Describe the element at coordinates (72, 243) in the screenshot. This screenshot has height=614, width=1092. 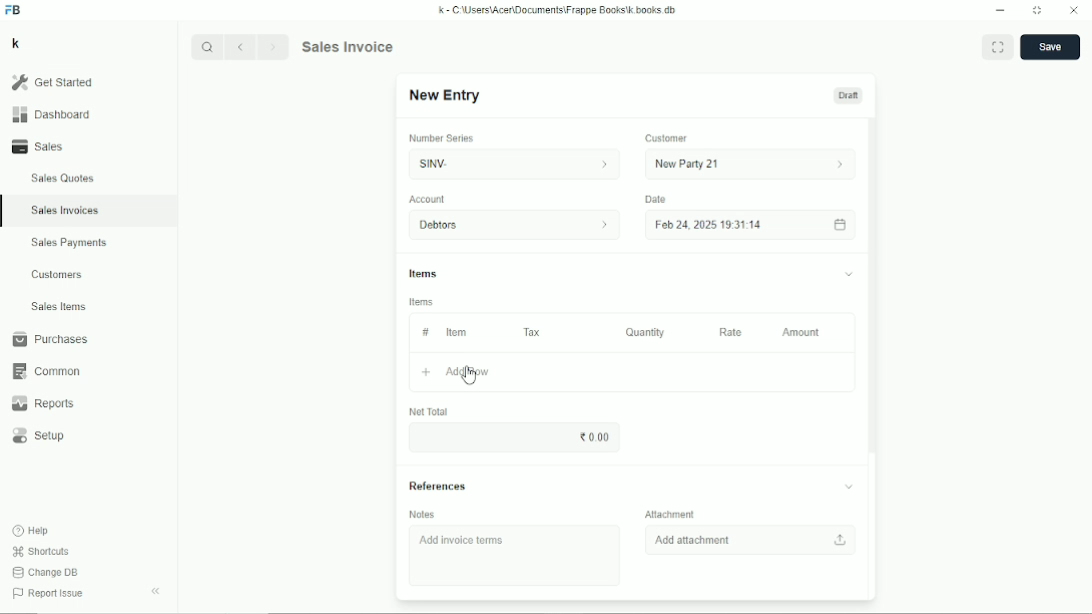
I see `Sales payments` at that location.